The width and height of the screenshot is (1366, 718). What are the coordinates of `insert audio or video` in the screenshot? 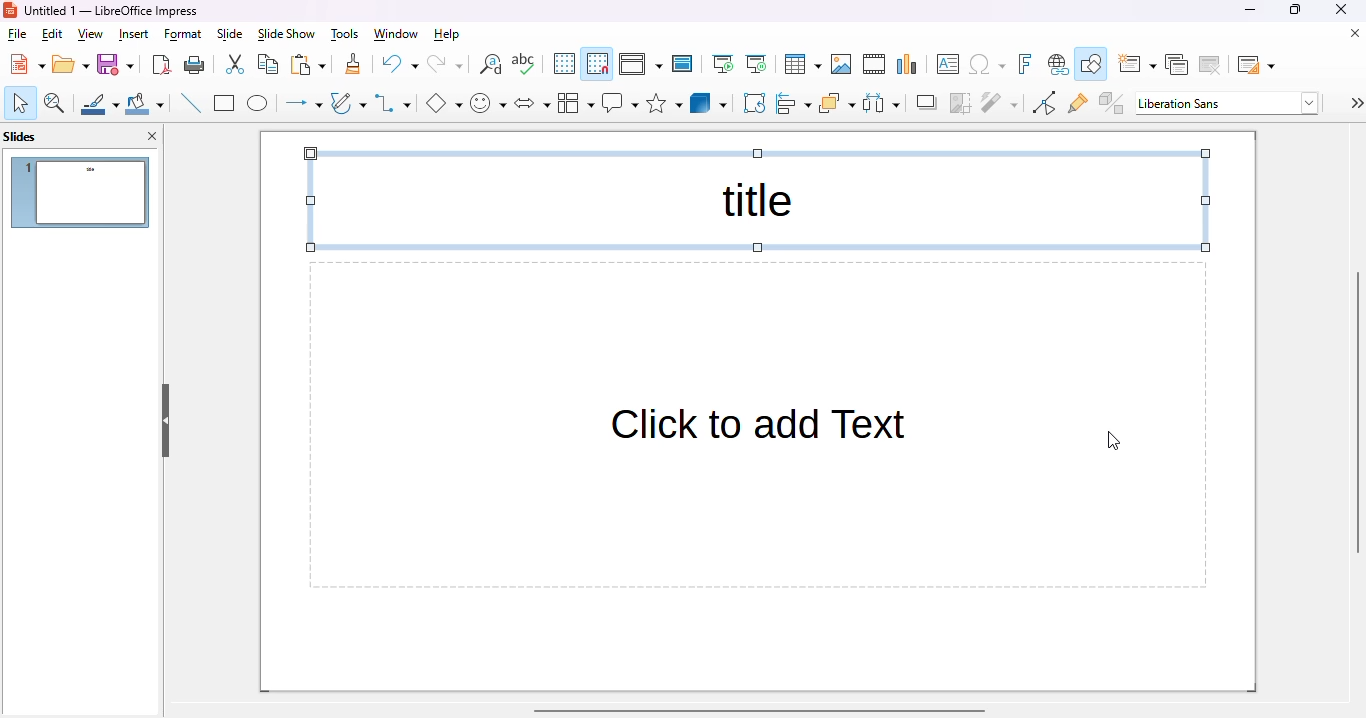 It's located at (874, 64).